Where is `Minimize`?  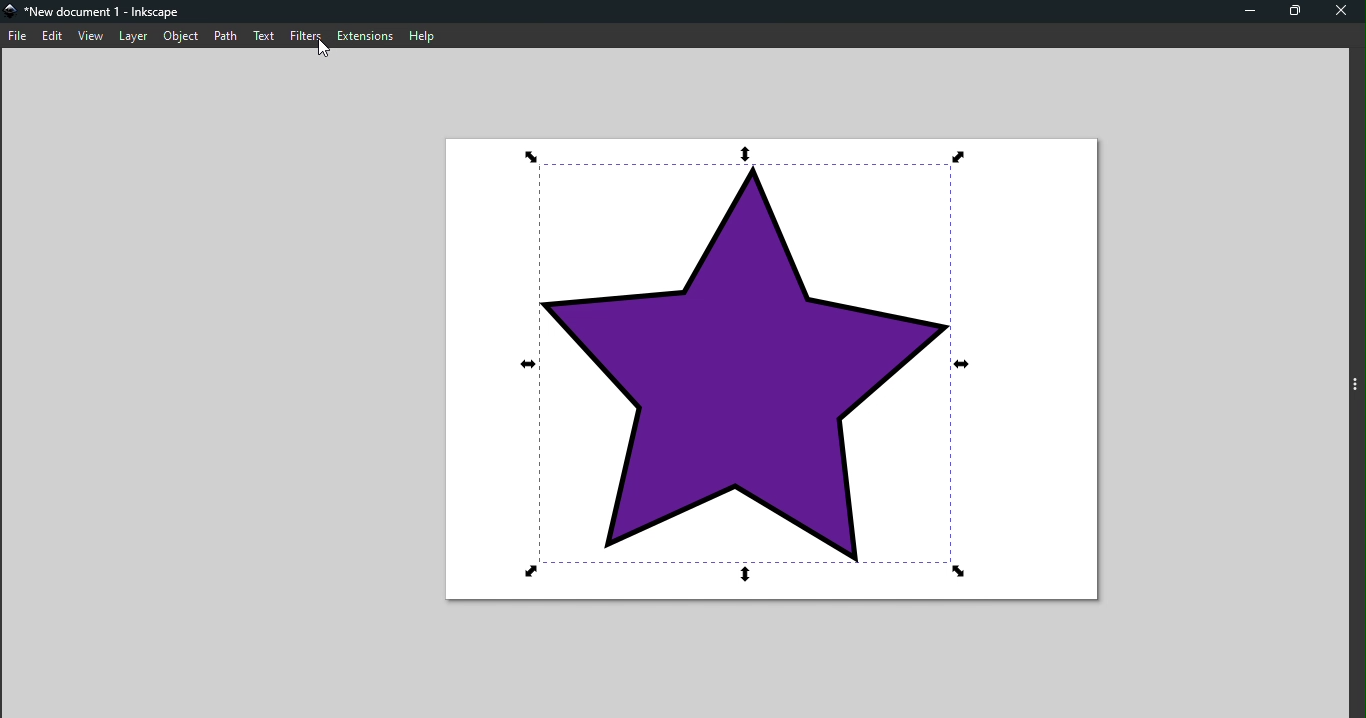 Minimize is located at coordinates (1243, 11).